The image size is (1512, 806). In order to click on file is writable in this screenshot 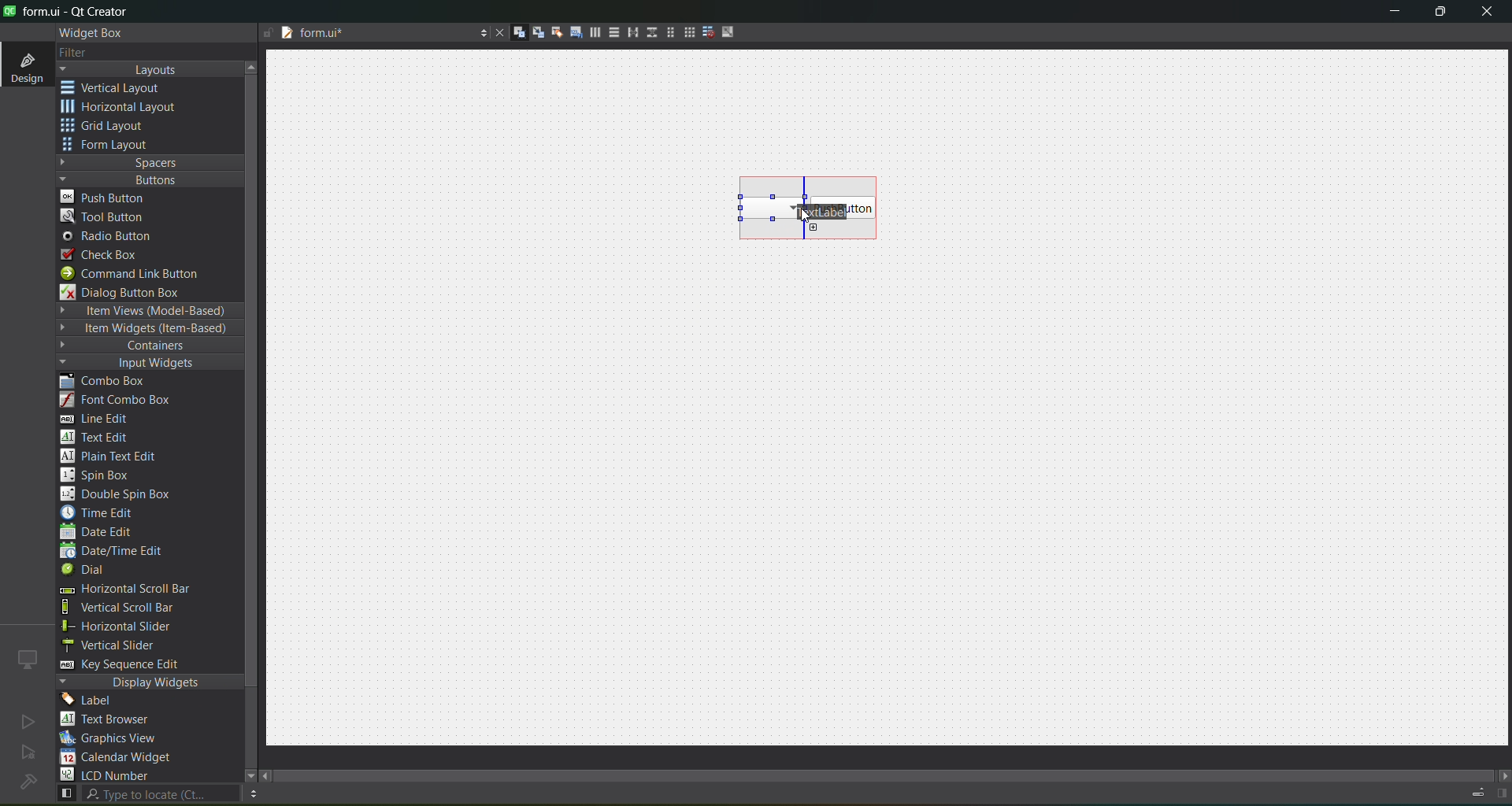, I will do `click(268, 34)`.